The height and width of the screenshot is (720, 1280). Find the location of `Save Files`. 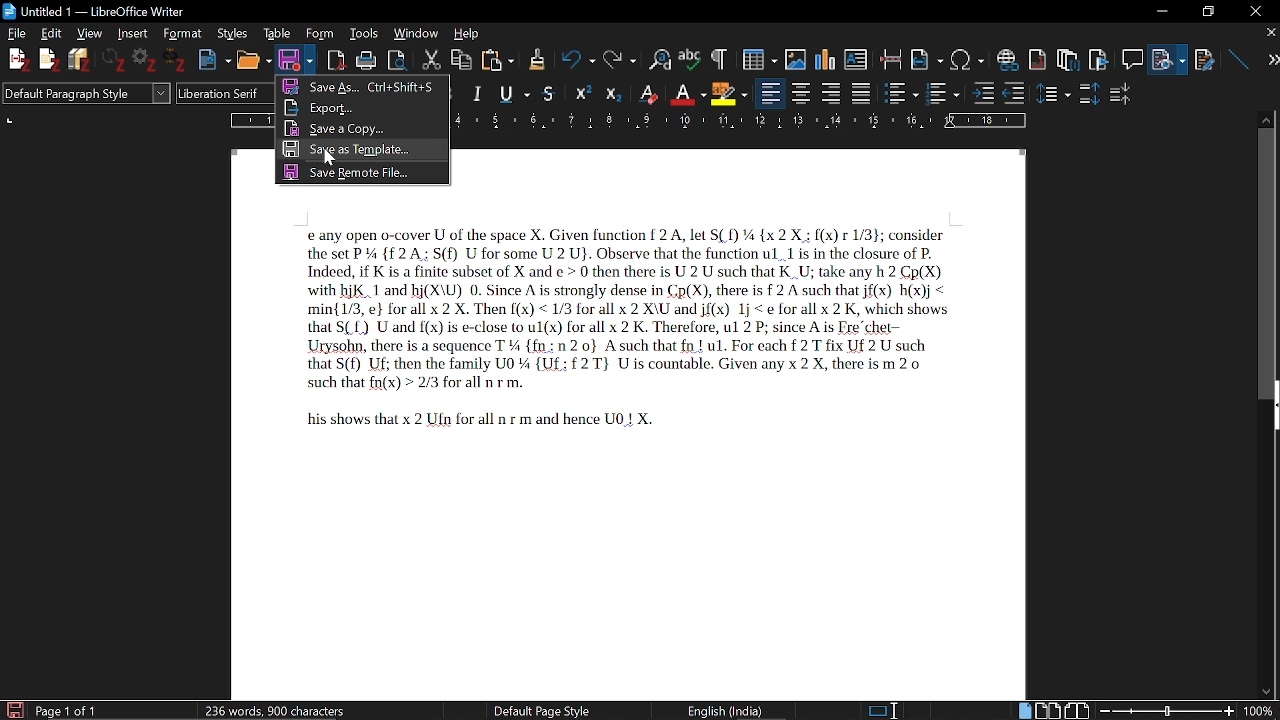

Save Files is located at coordinates (82, 60).